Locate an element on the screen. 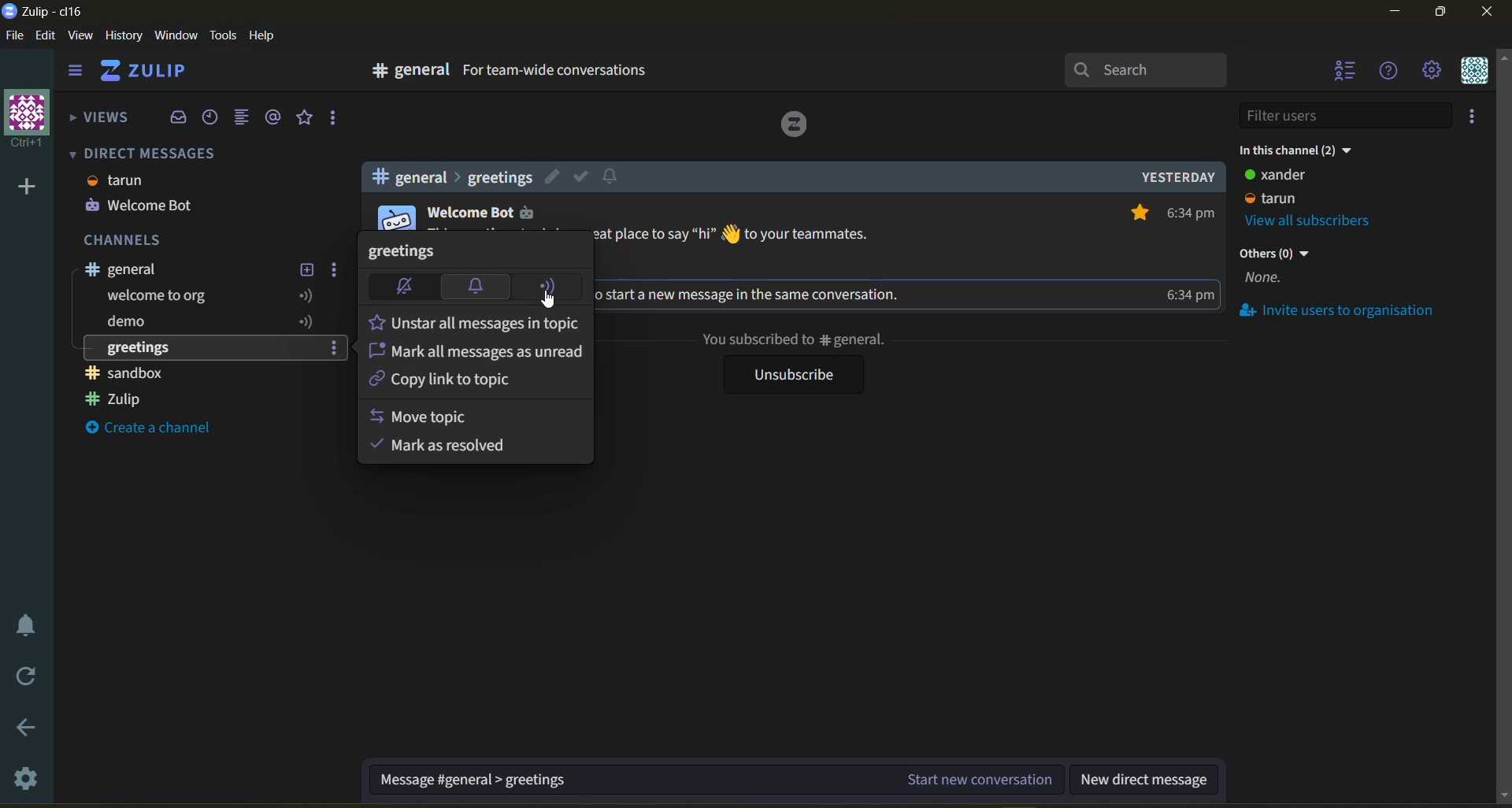  start new conversation is located at coordinates (717, 776).